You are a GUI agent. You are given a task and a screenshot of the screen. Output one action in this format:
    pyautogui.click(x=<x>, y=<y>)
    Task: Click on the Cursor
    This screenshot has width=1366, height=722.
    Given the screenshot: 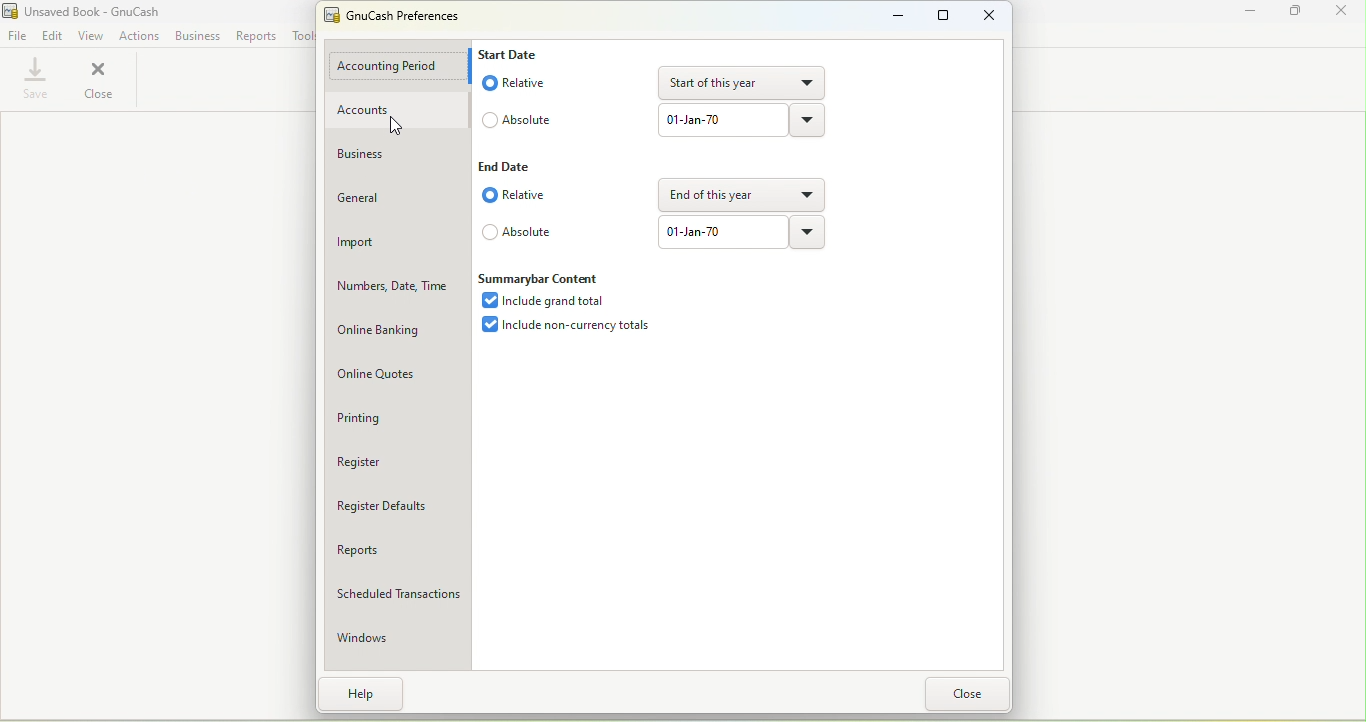 What is the action you would take?
    pyautogui.click(x=394, y=127)
    